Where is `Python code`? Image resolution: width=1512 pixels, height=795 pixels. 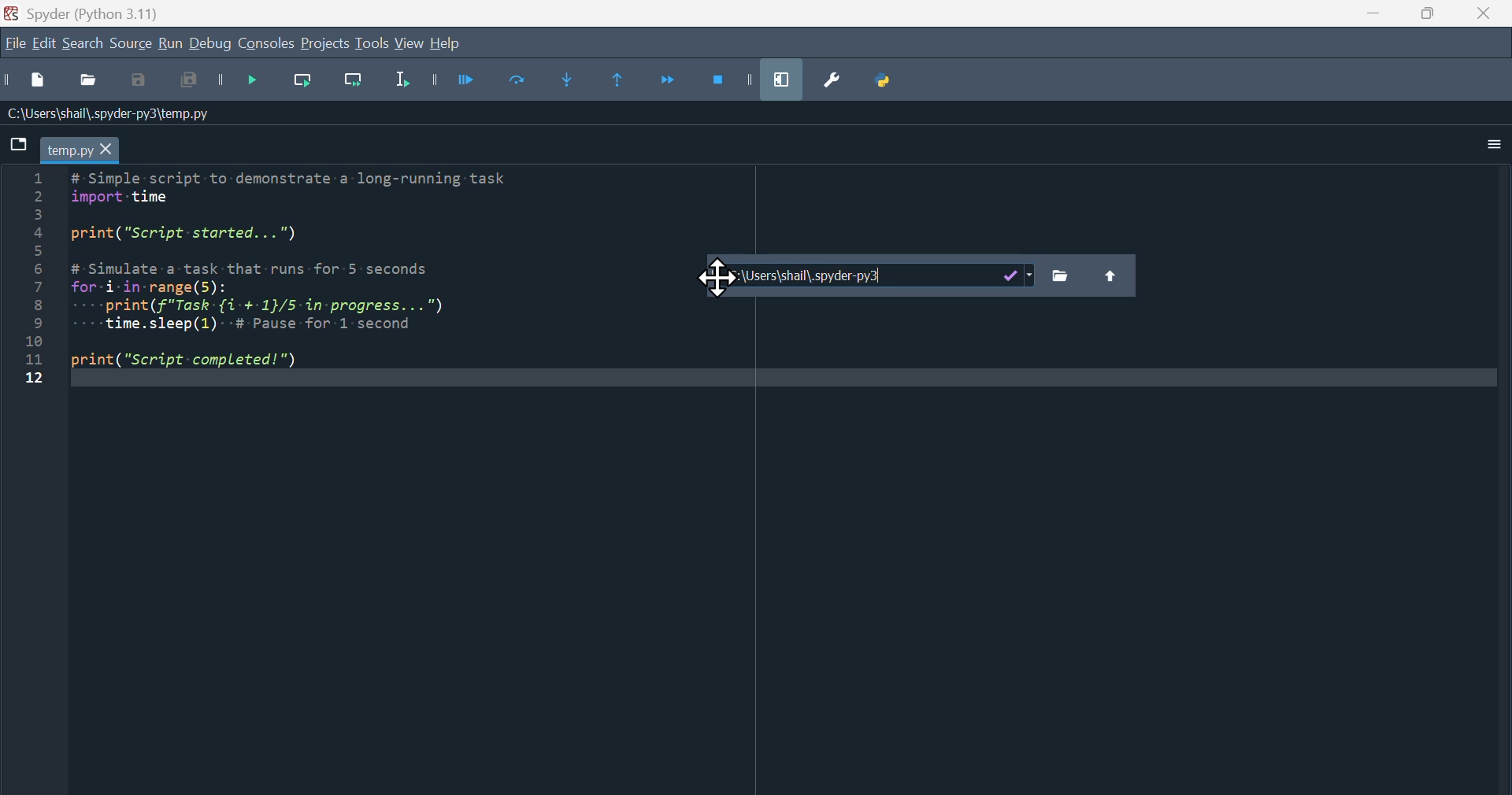 Python code is located at coordinates (283, 282).